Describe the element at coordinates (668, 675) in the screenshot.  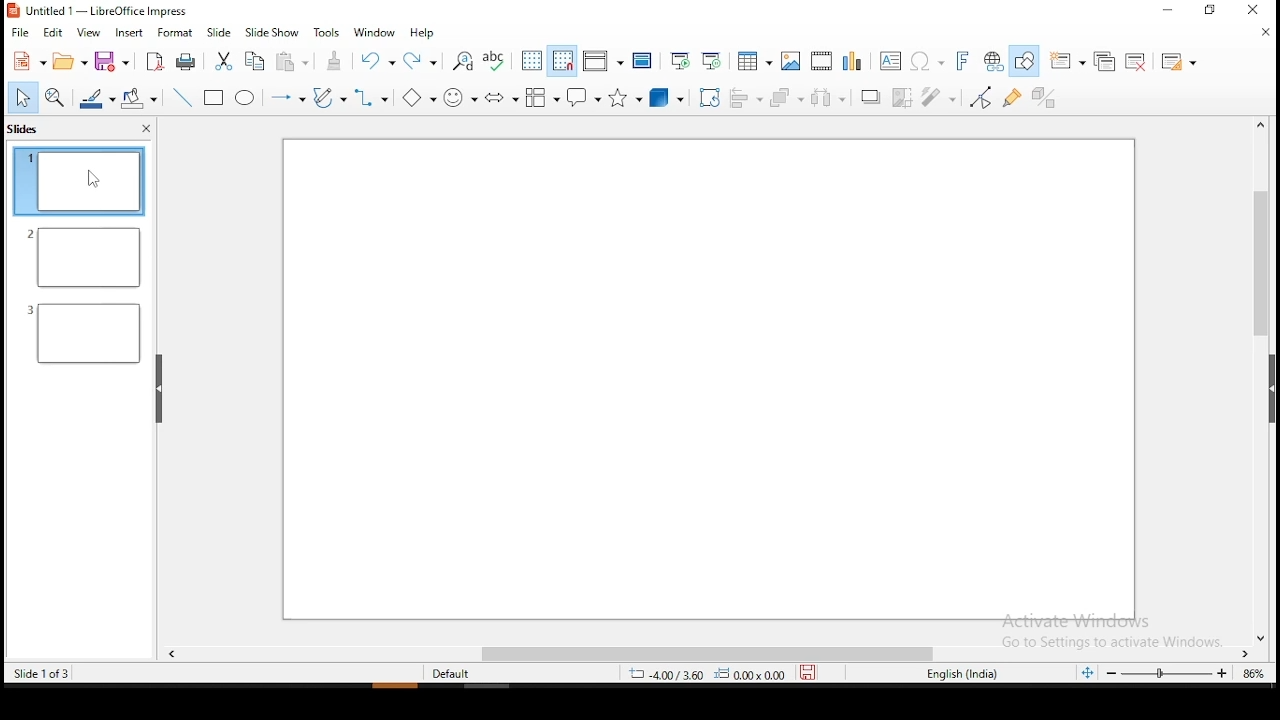
I see `4.00/3.60` at that location.